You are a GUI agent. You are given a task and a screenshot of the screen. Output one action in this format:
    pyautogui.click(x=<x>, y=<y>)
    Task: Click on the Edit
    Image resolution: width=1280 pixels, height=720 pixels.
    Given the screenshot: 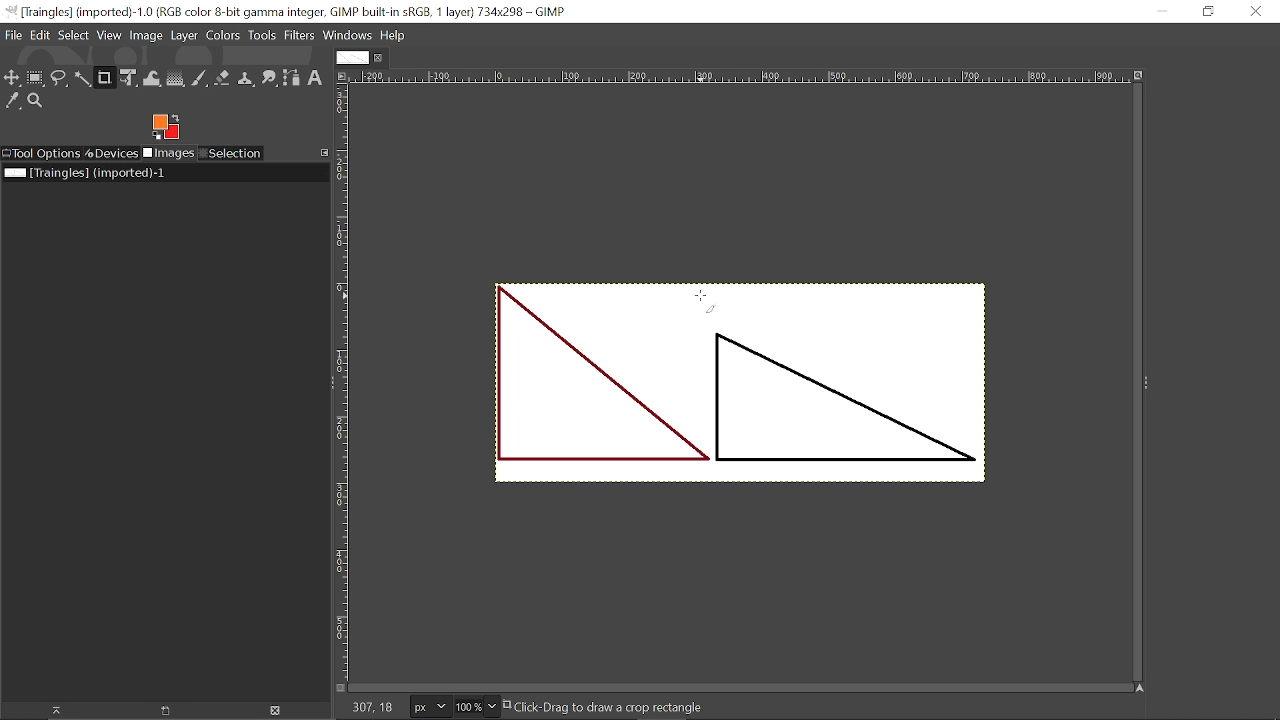 What is the action you would take?
    pyautogui.click(x=42, y=36)
    